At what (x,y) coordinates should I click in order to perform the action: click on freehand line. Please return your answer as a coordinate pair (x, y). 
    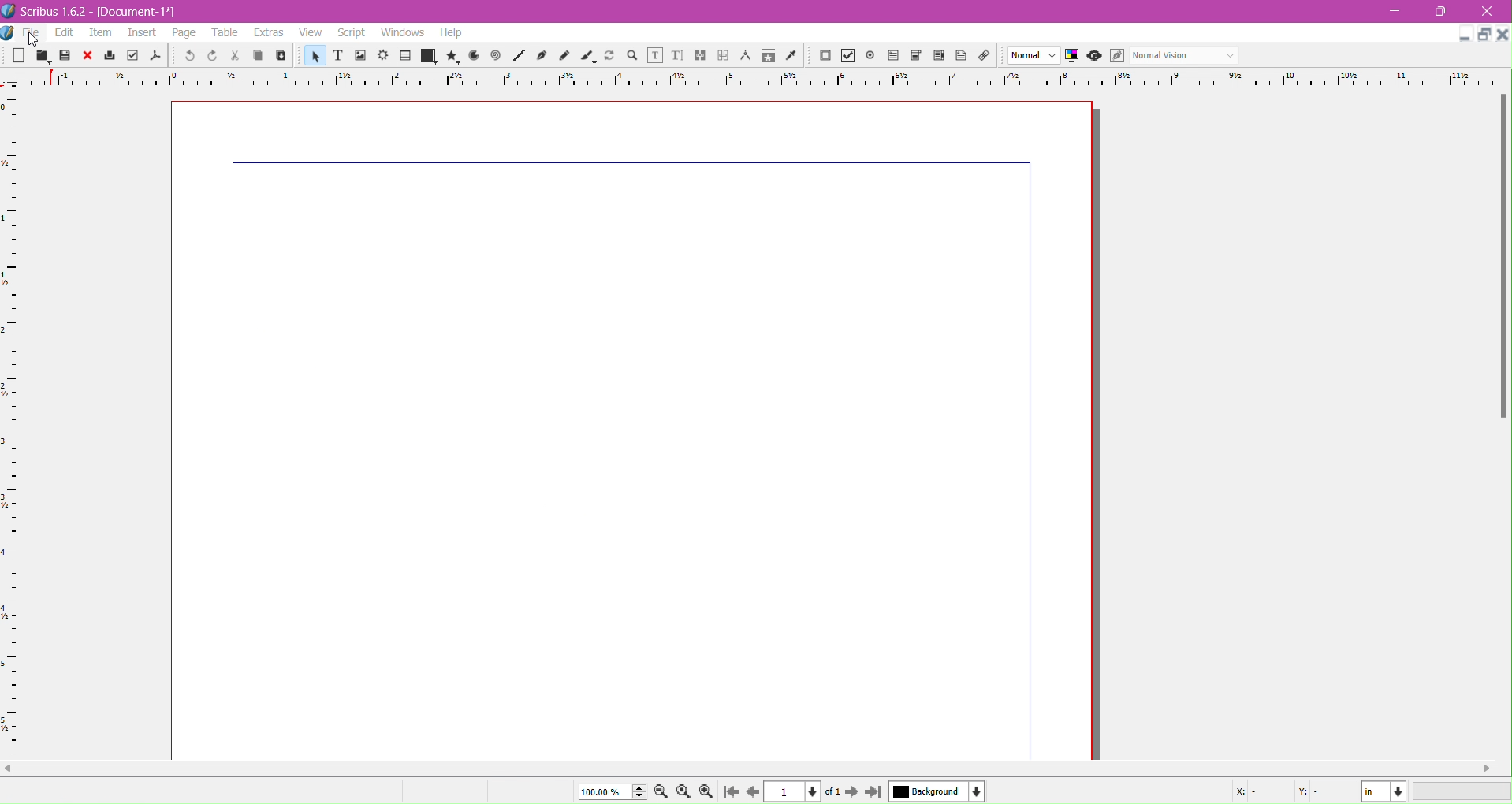
    Looking at the image, I should click on (566, 57).